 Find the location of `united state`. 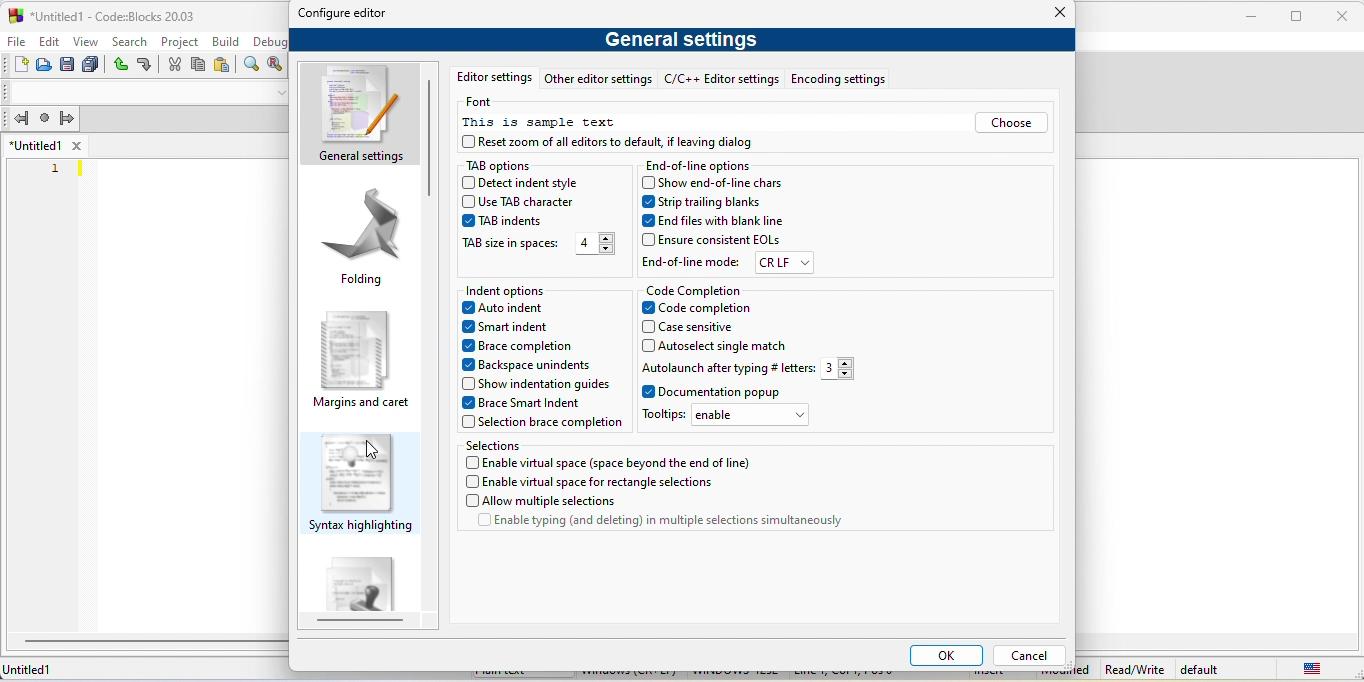

united state is located at coordinates (1313, 668).